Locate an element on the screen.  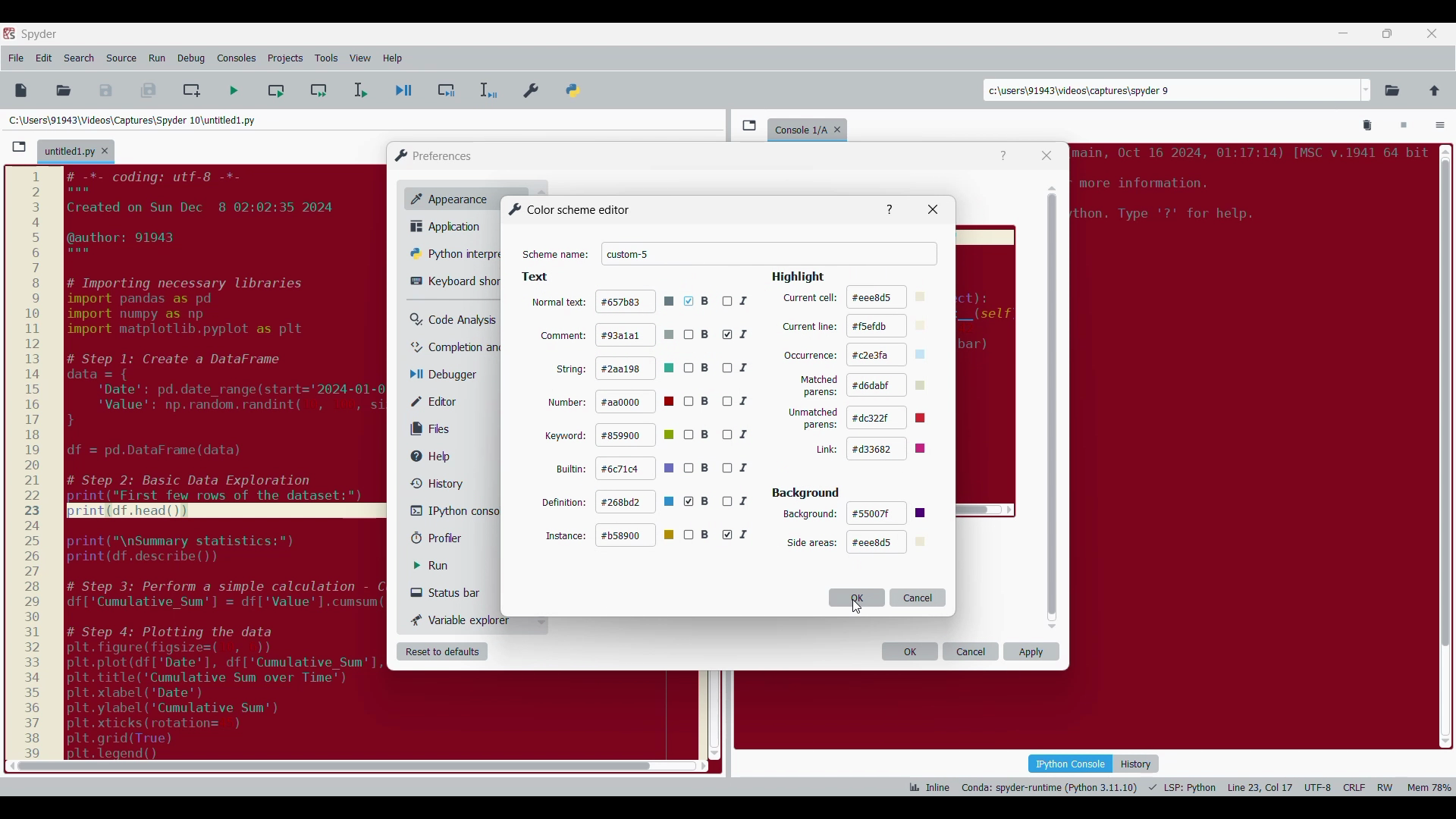
comment is located at coordinates (563, 335).